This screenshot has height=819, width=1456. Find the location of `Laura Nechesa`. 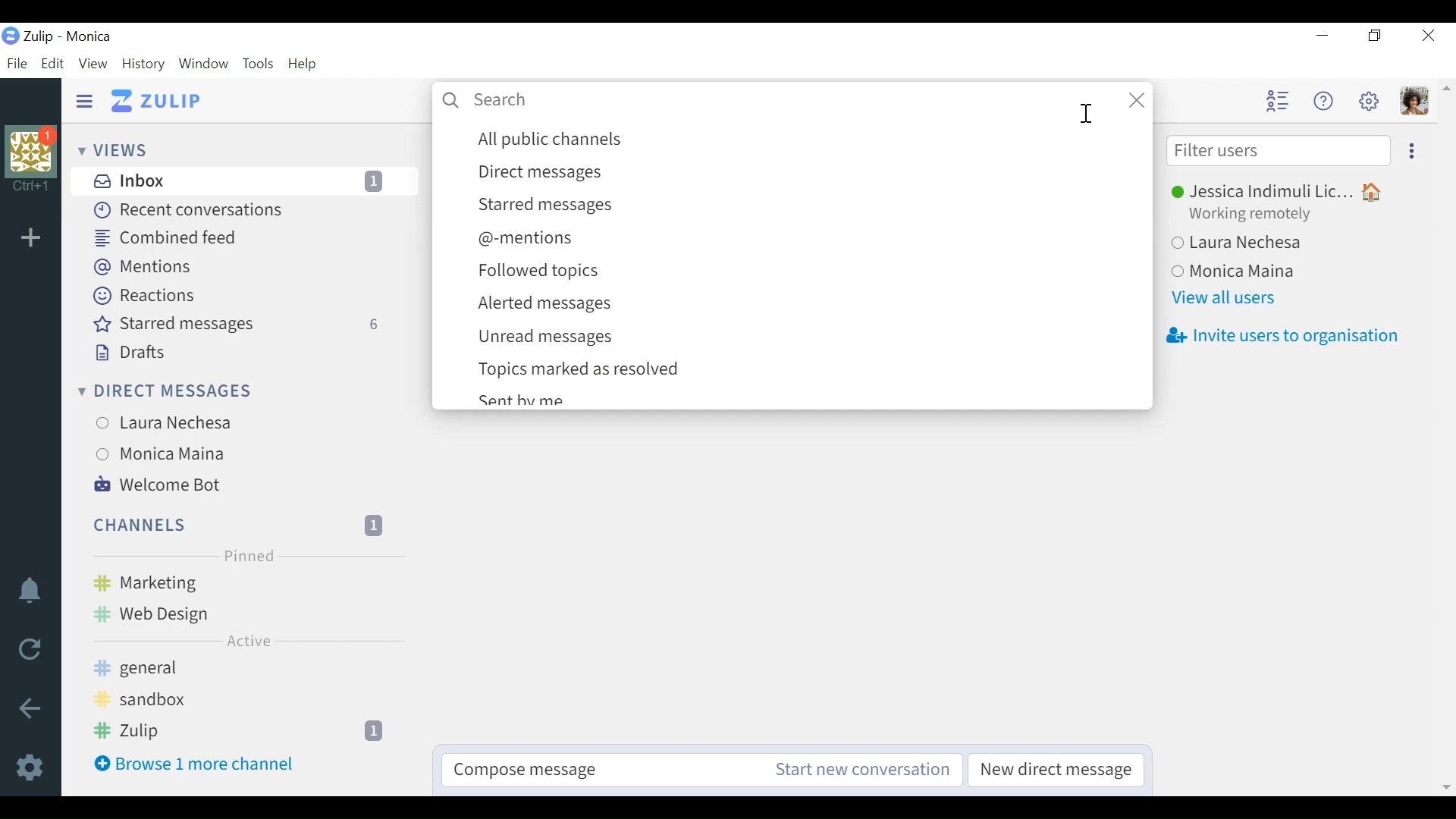

Laura Nechesa is located at coordinates (207, 422).